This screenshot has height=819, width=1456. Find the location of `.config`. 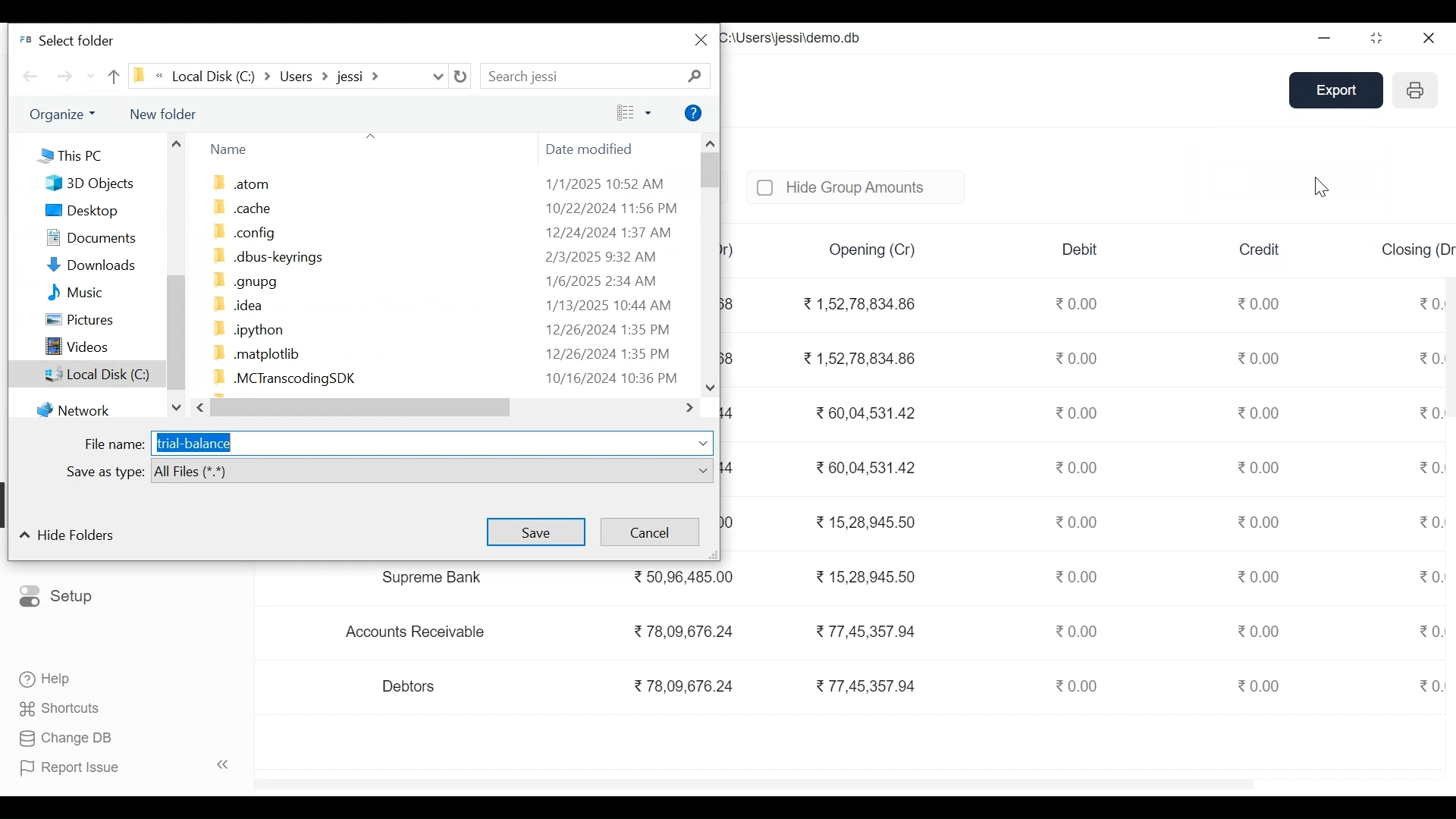

.config is located at coordinates (242, 231).